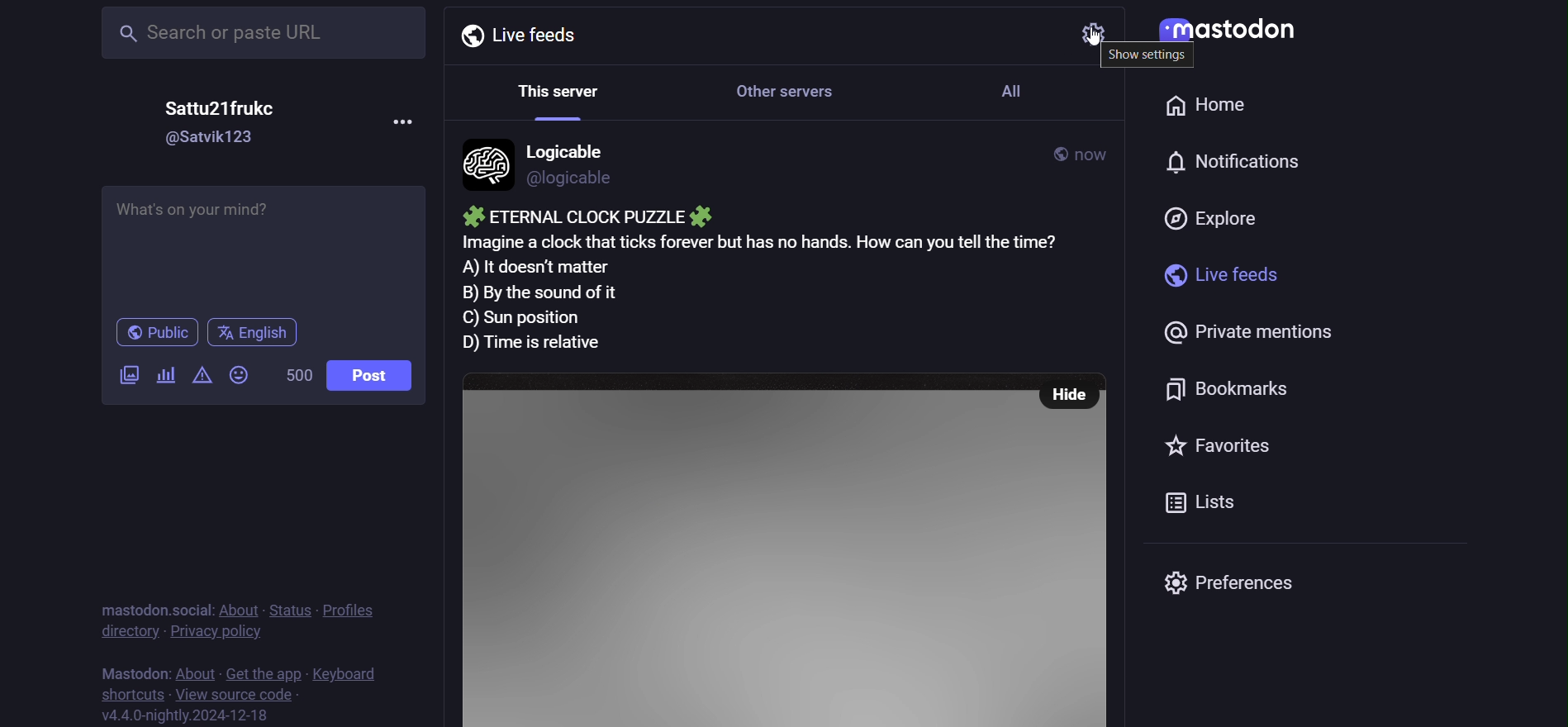 Image resolution: width=1568 pixels, height=727 pixels. Describe the element at coordinates (1083, 33) in the screenshot. I see `live feed setting` at that location.